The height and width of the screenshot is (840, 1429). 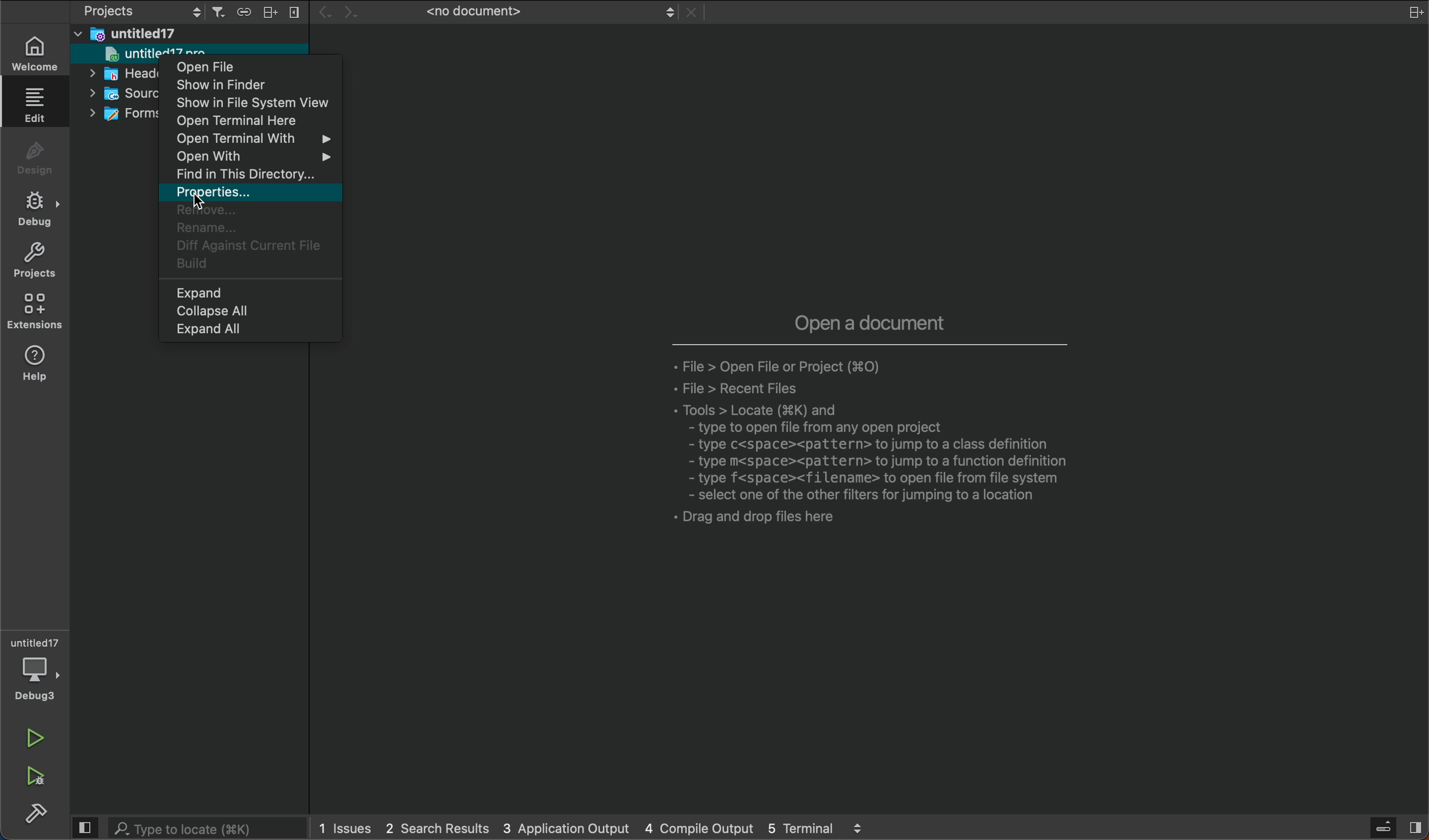 I want to click on properties, so click(x=248, y=193).